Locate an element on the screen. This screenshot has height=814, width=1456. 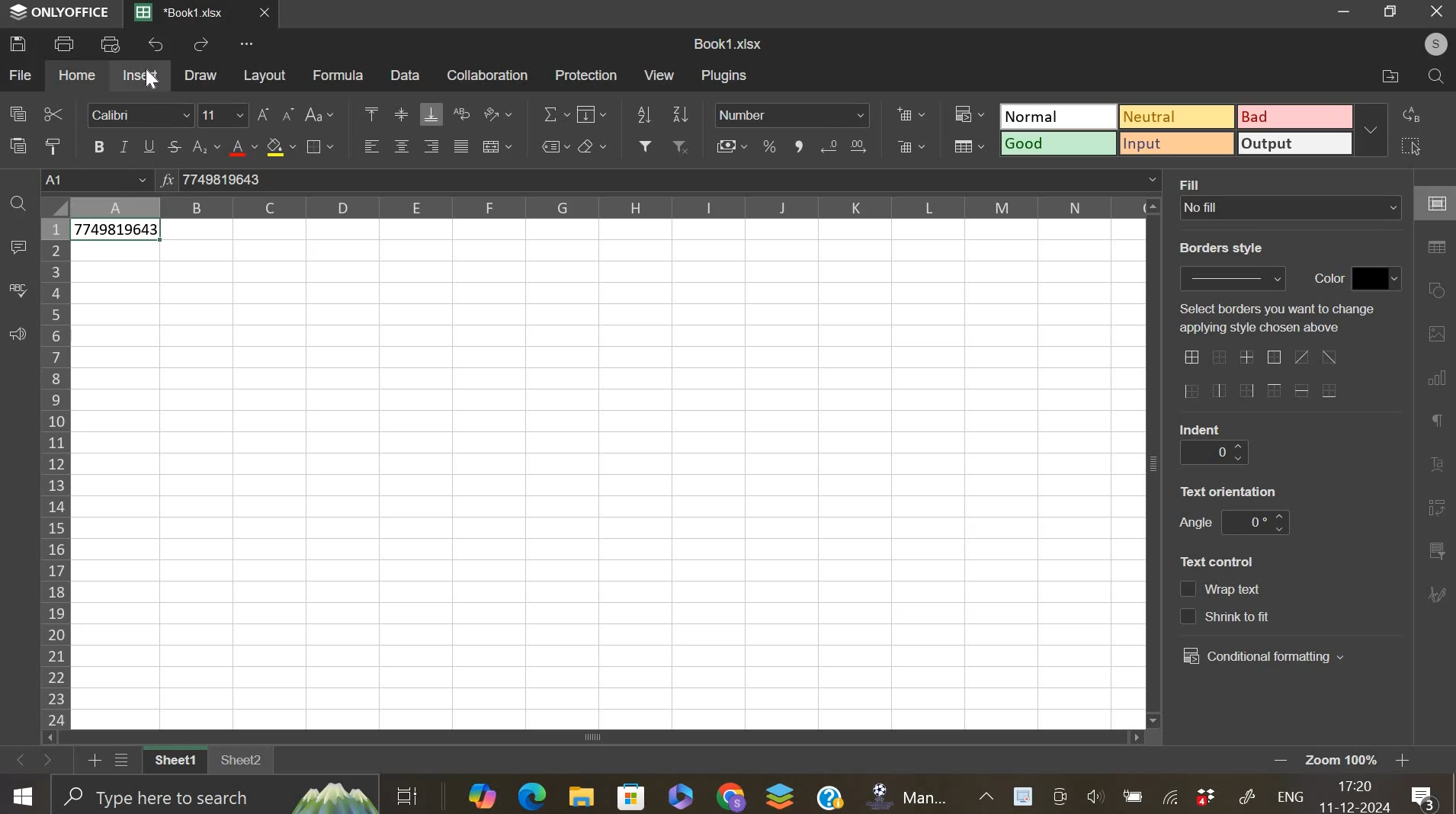
replace is located at coordinates (1412, 113).